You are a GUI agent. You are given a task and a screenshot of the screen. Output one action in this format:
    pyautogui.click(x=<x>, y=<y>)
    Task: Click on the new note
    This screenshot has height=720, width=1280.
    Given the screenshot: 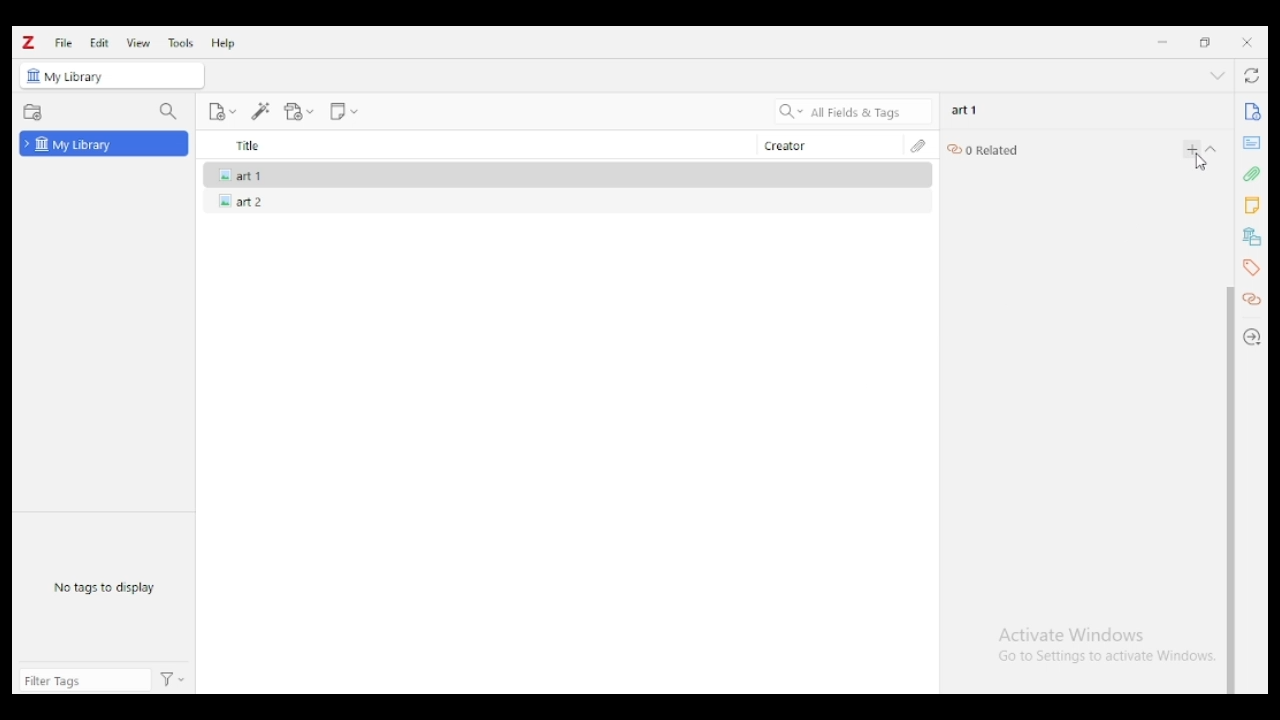 What is the action you would take?
    pyautogui.click(x=343, y=112)
    